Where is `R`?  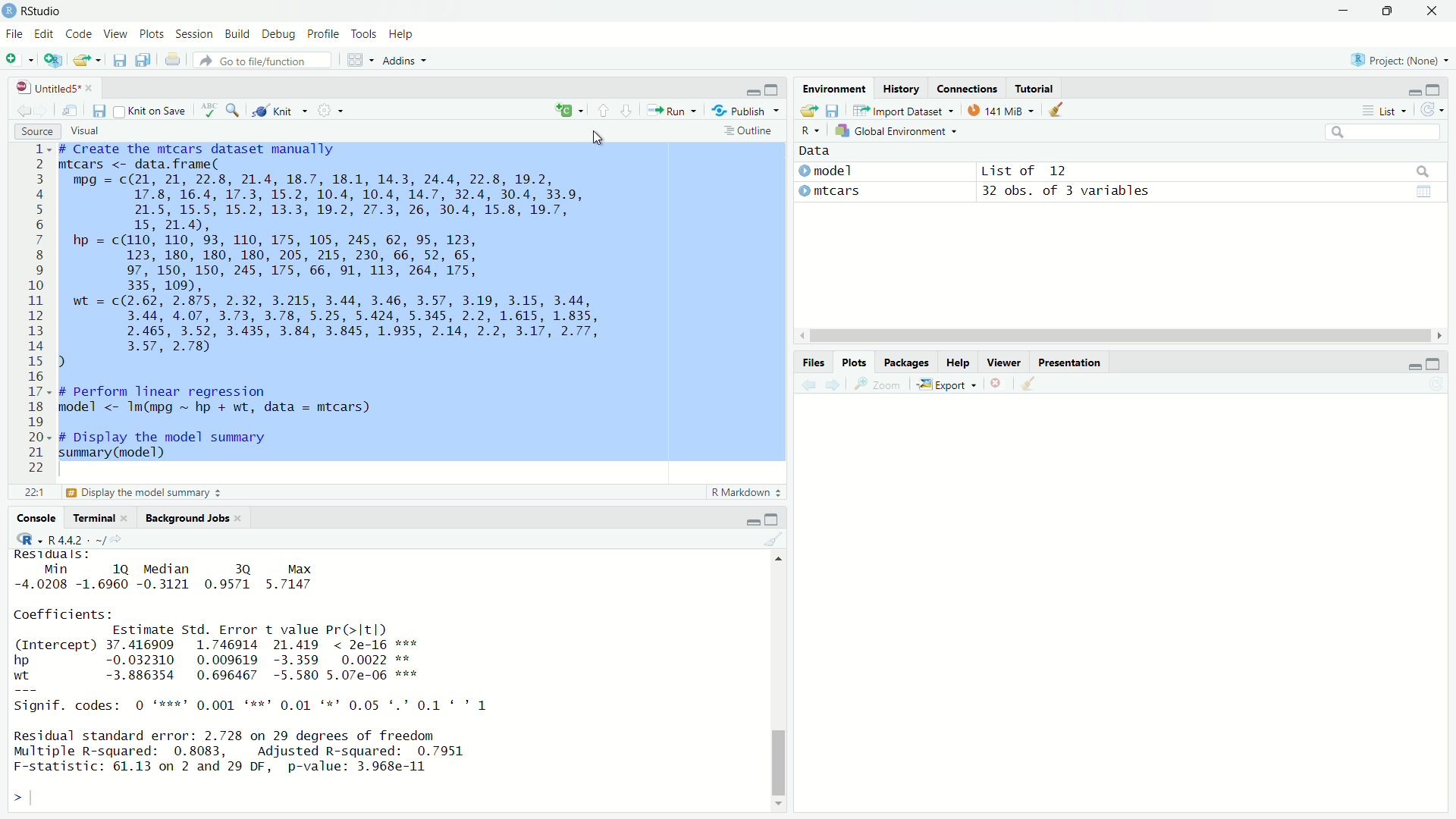 R is located at coordinates (811, 133).